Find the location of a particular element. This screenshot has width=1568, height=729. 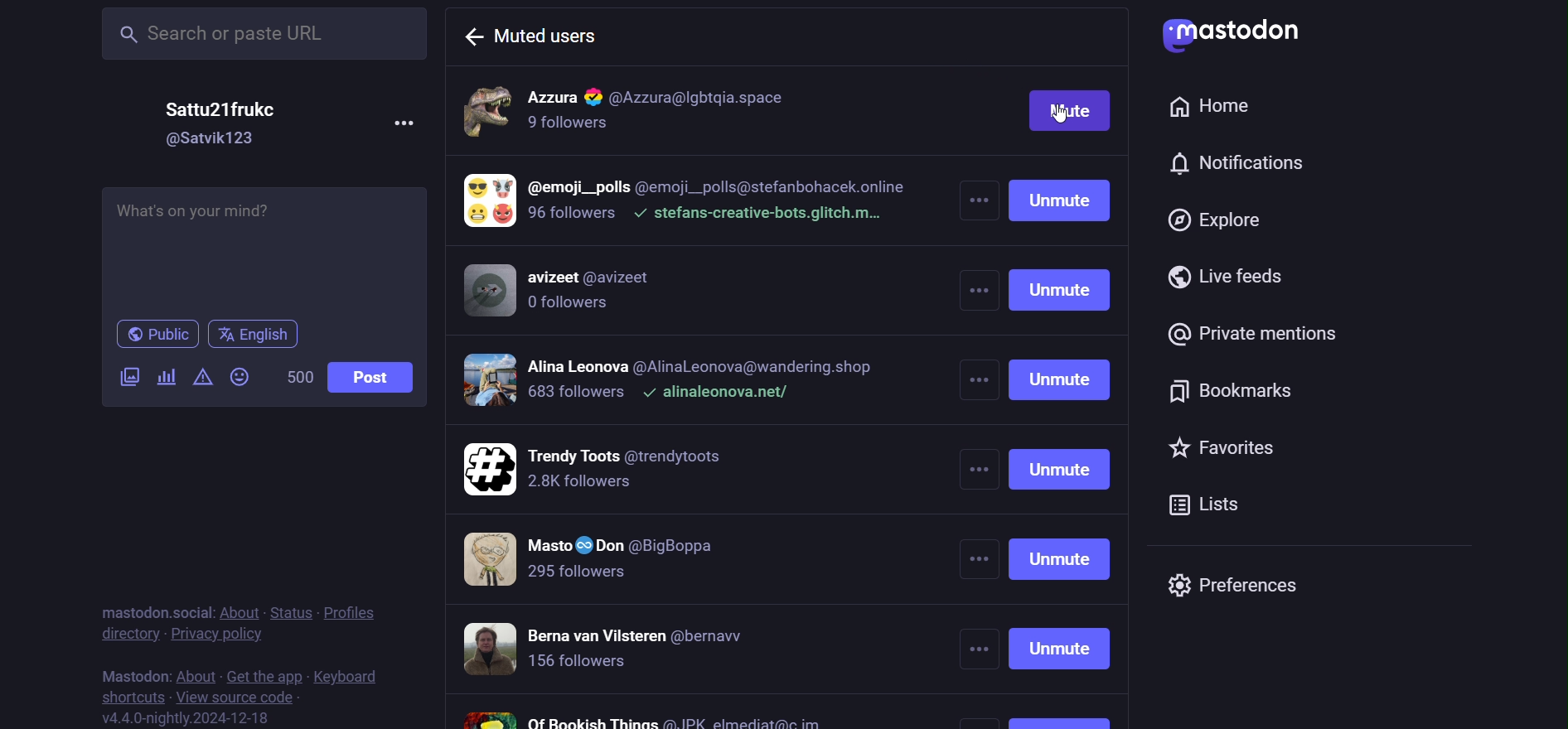

keyboard is located at coordinates (349, 676).